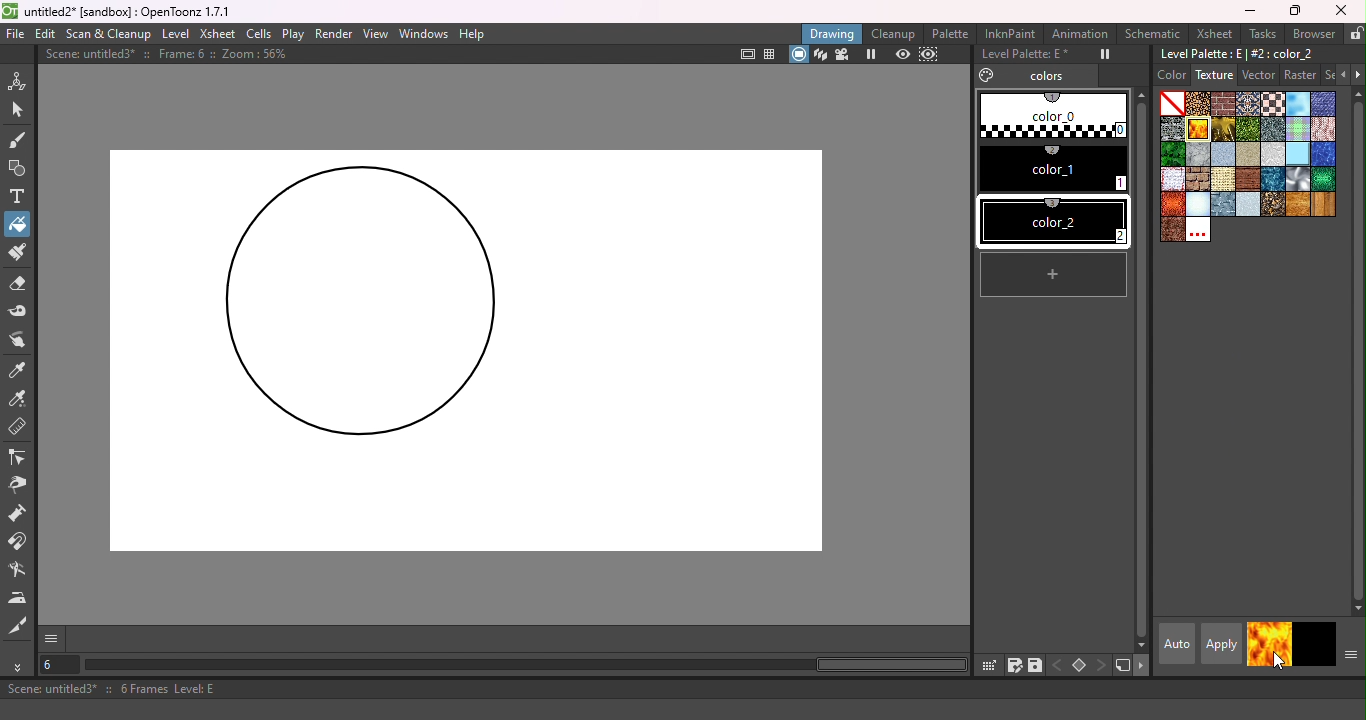 The width and height of the screenshot is (1366, 720). Describe the element at coordinates (19, 428) in the screenshot. I see `Ruler tool` at that location.